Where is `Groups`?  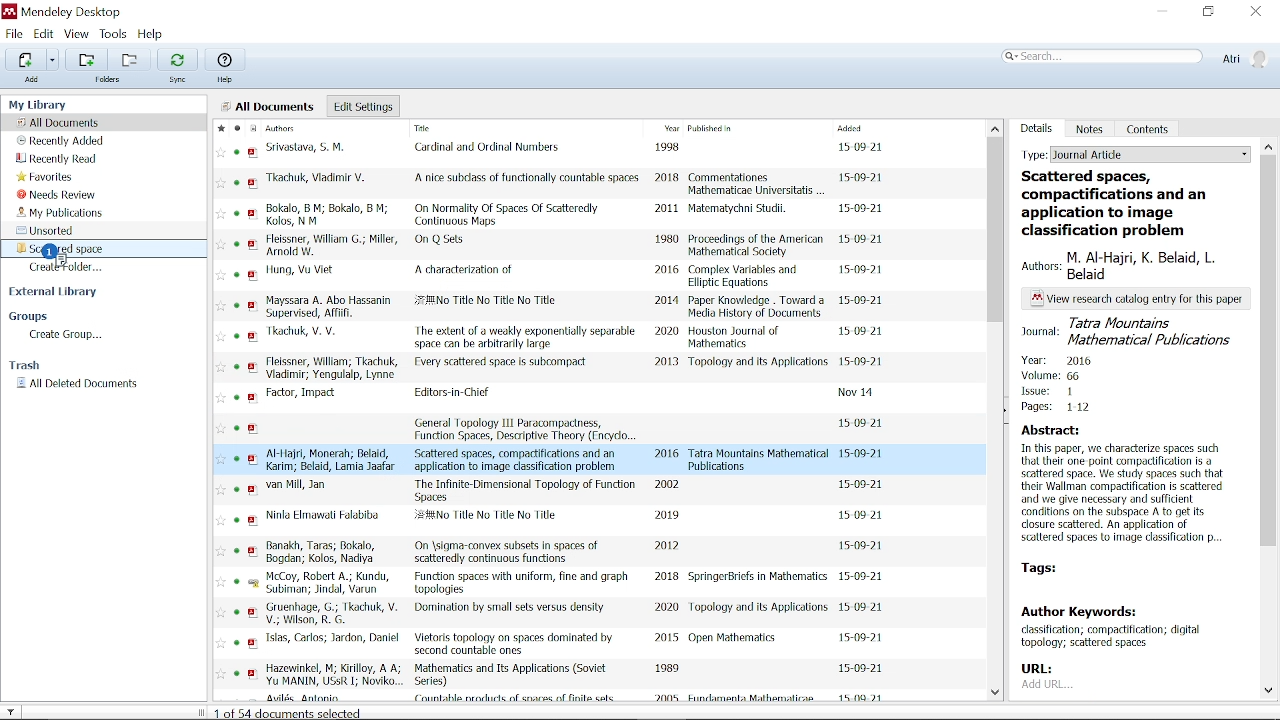
Groups is located at coordinates (30, 317).